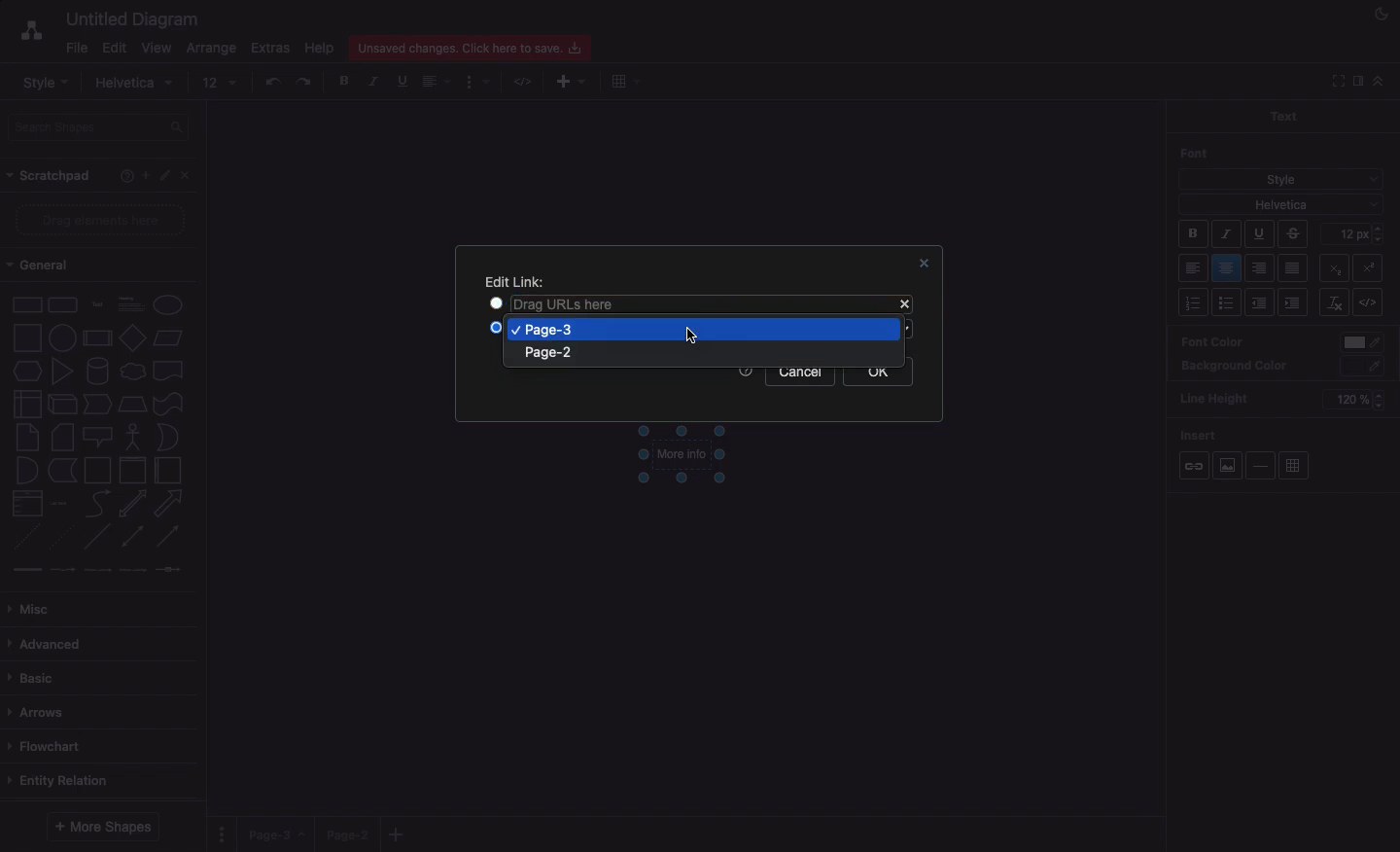  Describe the element at coordinates (169, 504) in the screenshot. I see `arrow` at that location.